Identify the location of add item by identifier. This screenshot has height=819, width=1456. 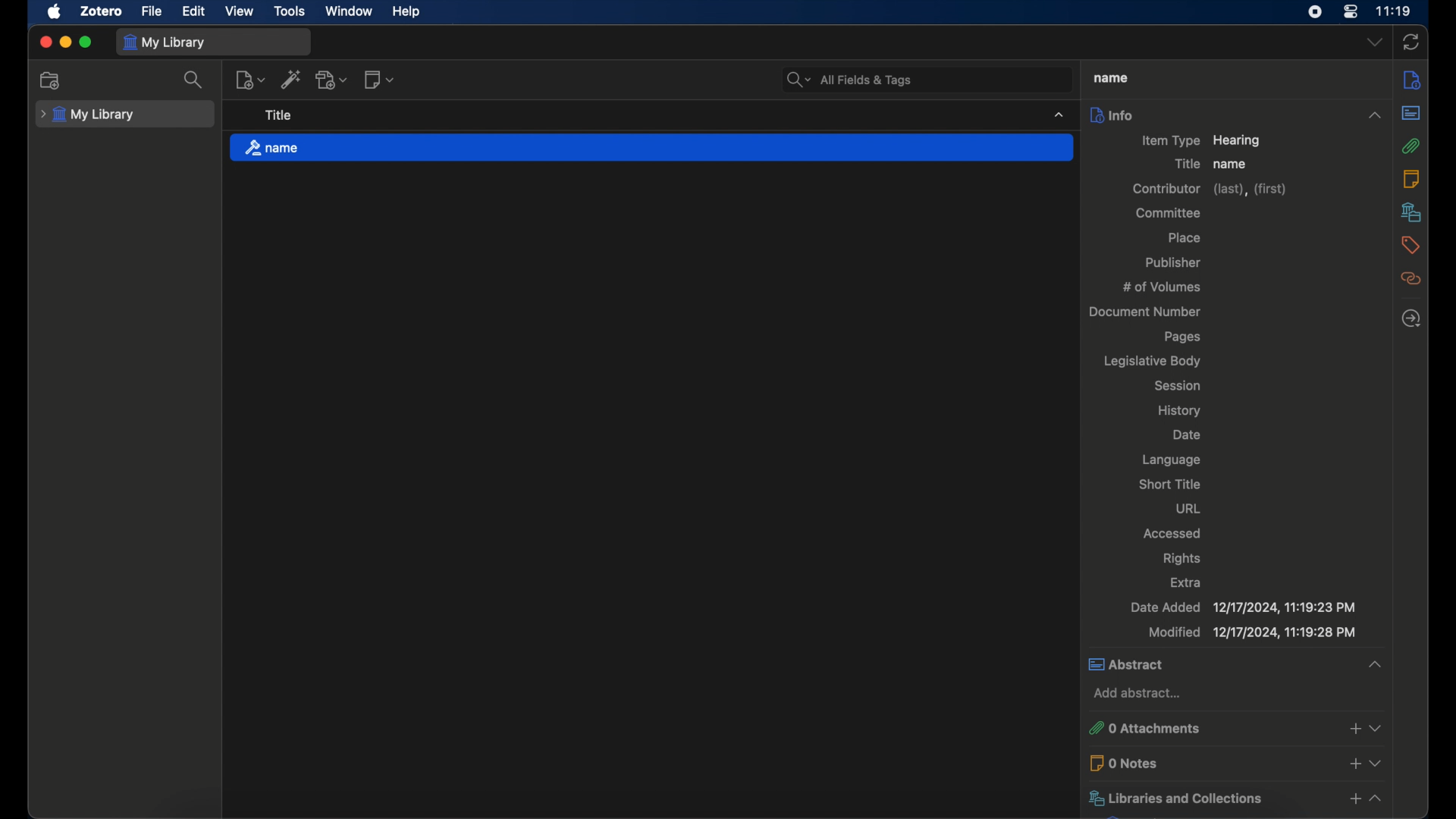
(291, 79).